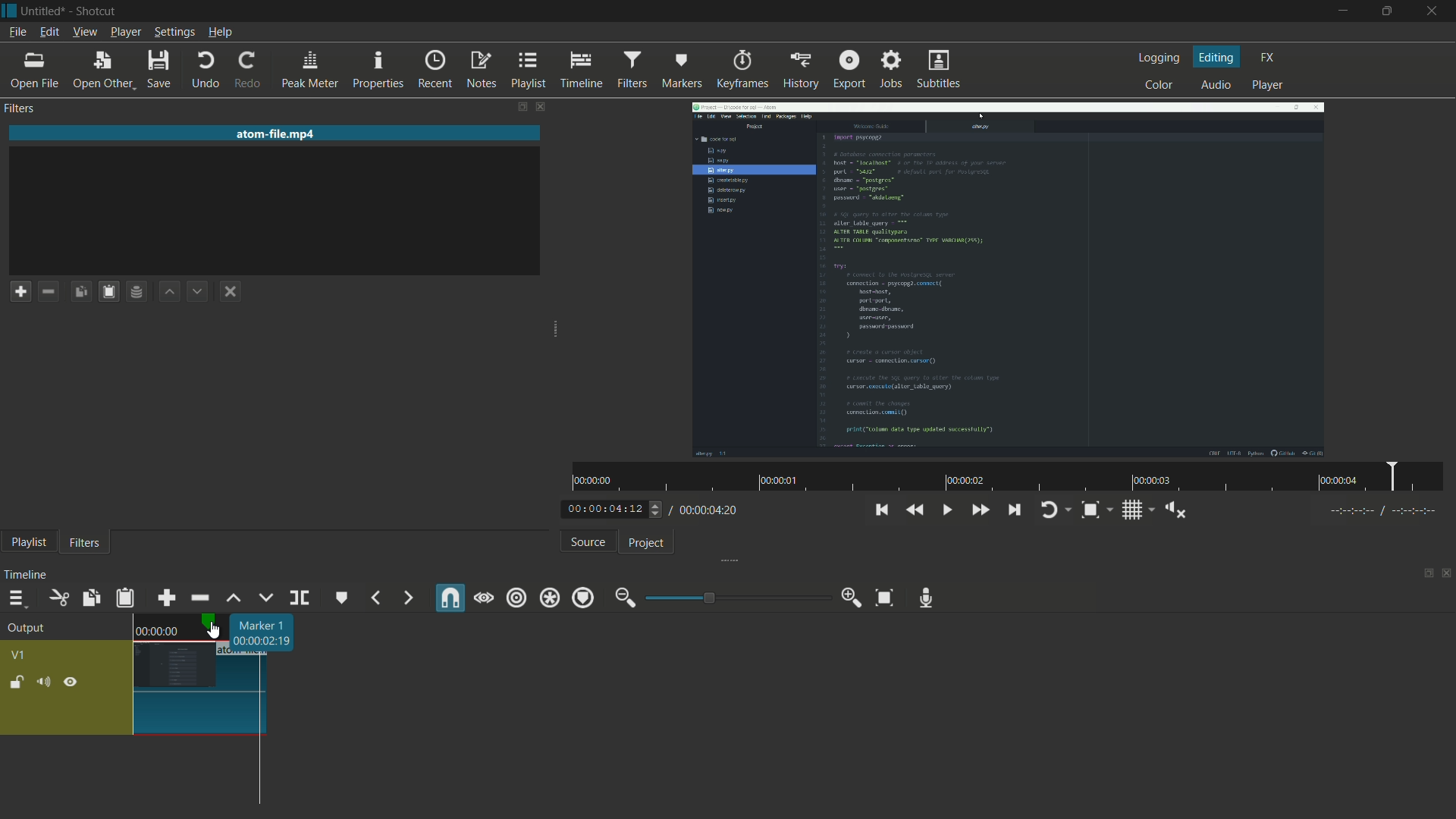 This screenshot has height=819, width=1456. What do you see at coordinates (1158, 58) in the screenshot?
I see `logging` at bounding box center [1158, 58].